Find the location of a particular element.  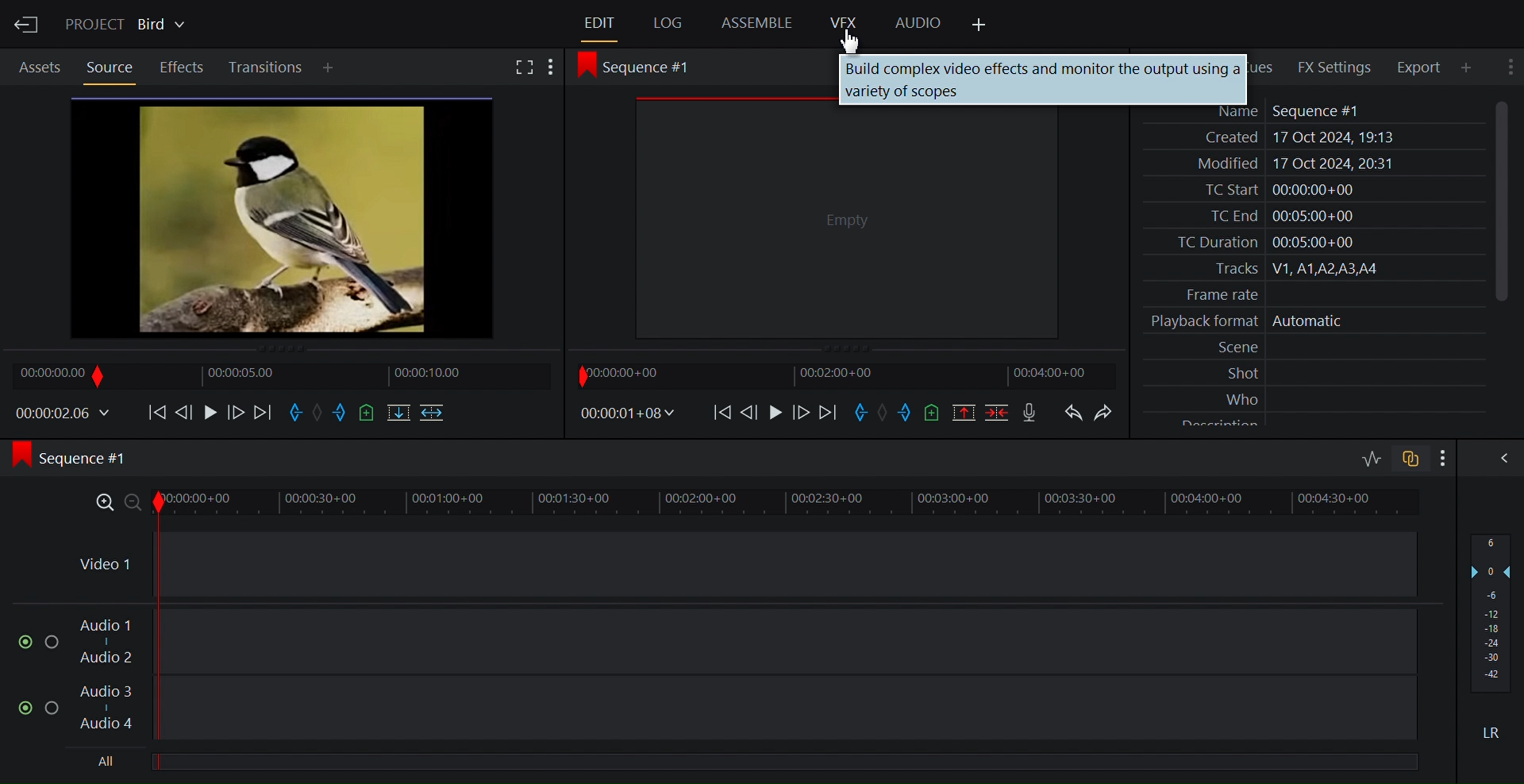

Clear marks is located at coordinates (883, 413).